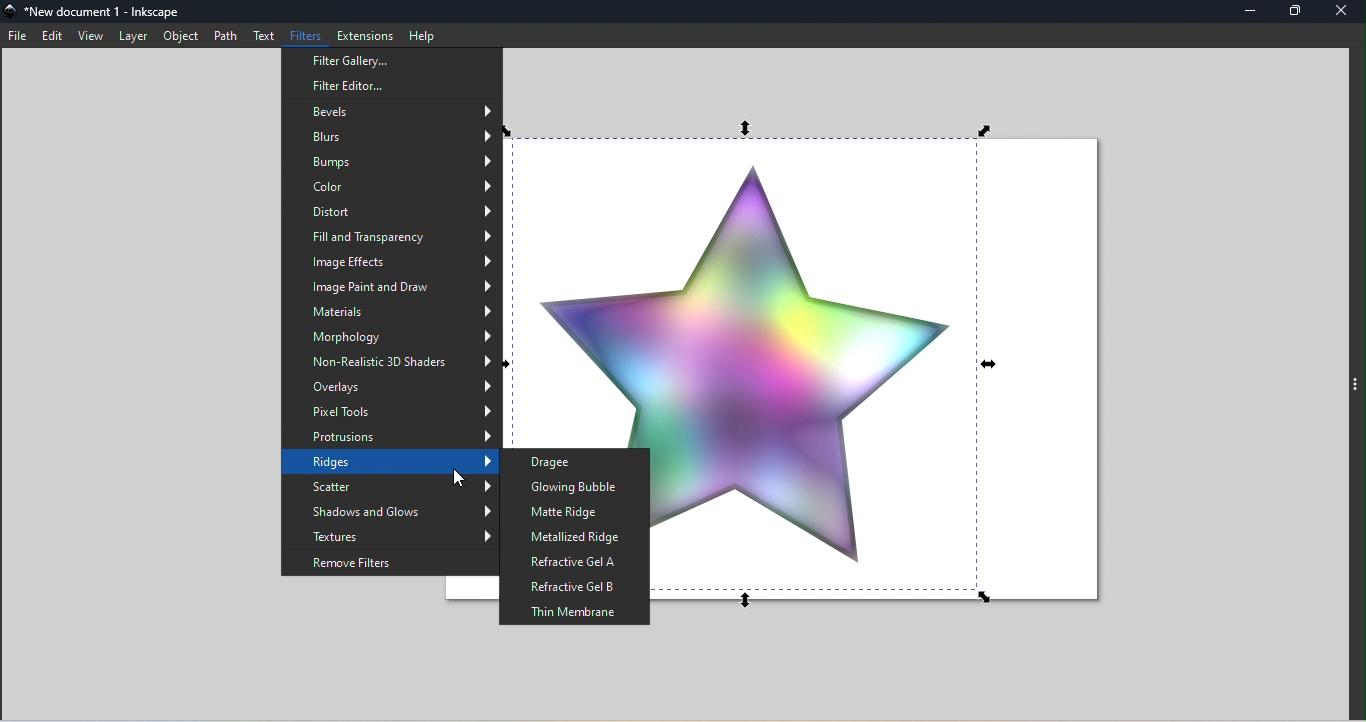 The height and width of the screenshot is (722, 1366). Describe the element at coordinates (1342, 12) in the screenshot. I see `Close` at that location.